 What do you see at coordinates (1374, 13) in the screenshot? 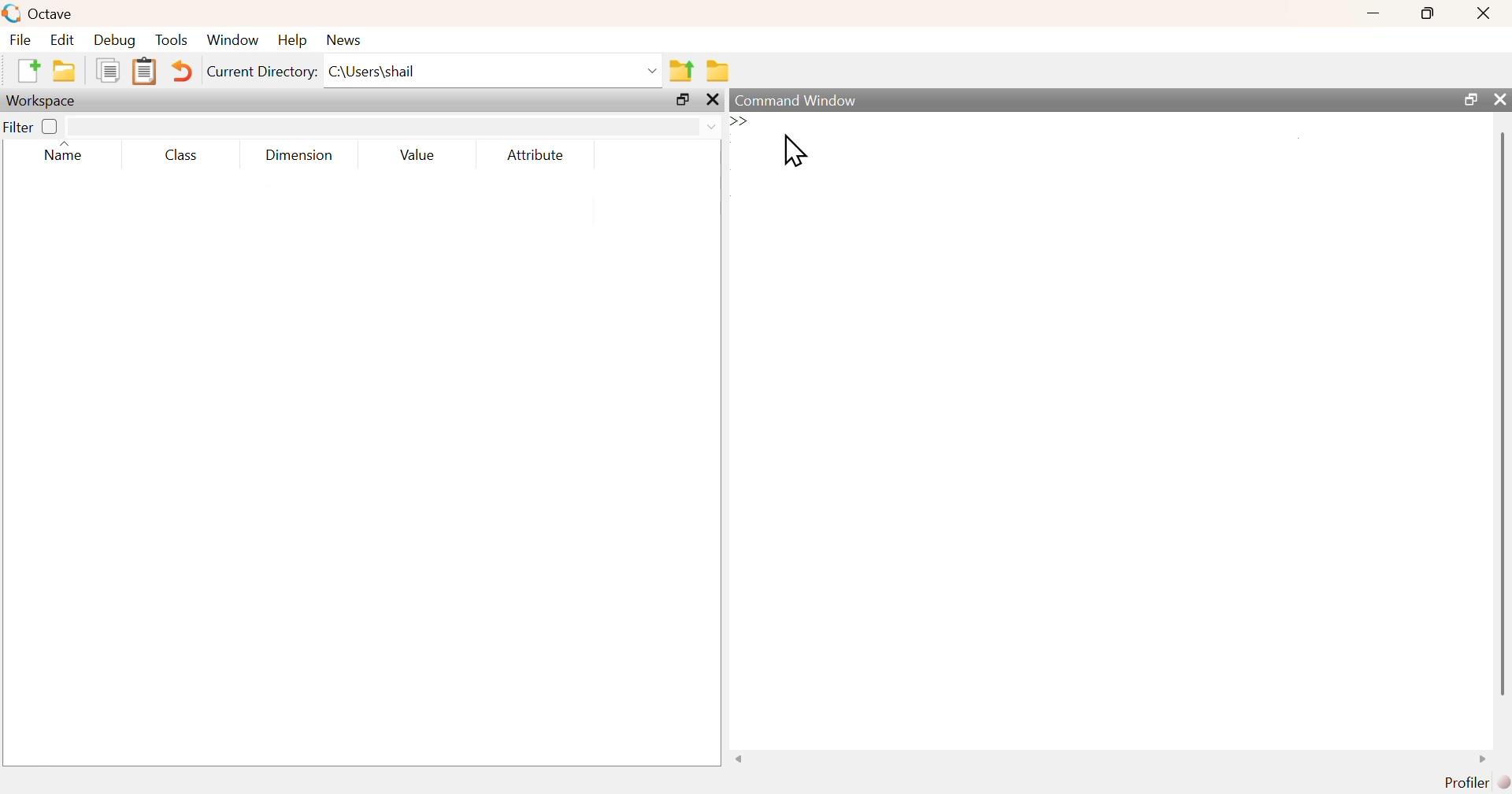
I see `minimize` at bounding box center [1374, 13].